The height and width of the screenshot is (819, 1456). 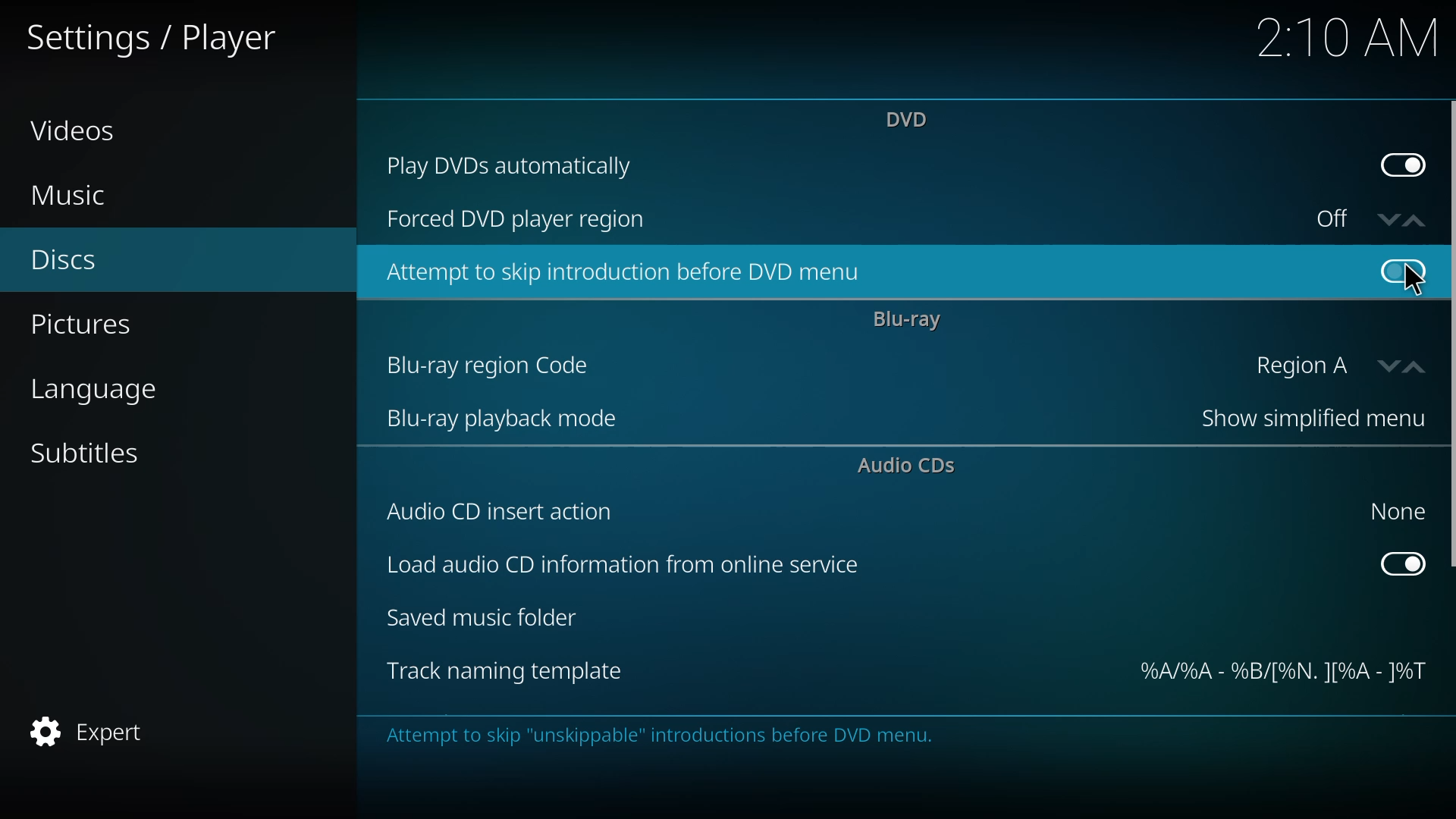 What do you see at coordinates (155, 36) in the screenshot?
I see `settings player` at bounding box center [155, 36].